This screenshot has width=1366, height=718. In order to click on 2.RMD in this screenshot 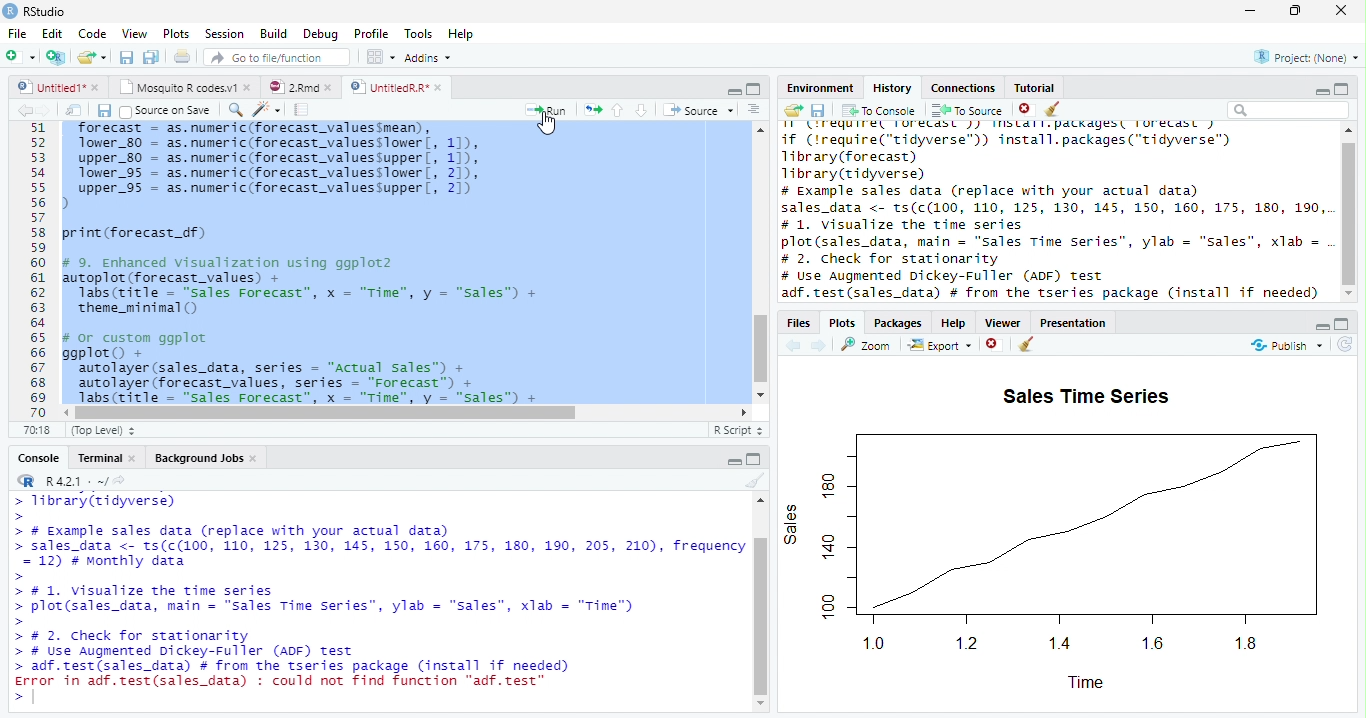, I will do `click(300, 87)`.